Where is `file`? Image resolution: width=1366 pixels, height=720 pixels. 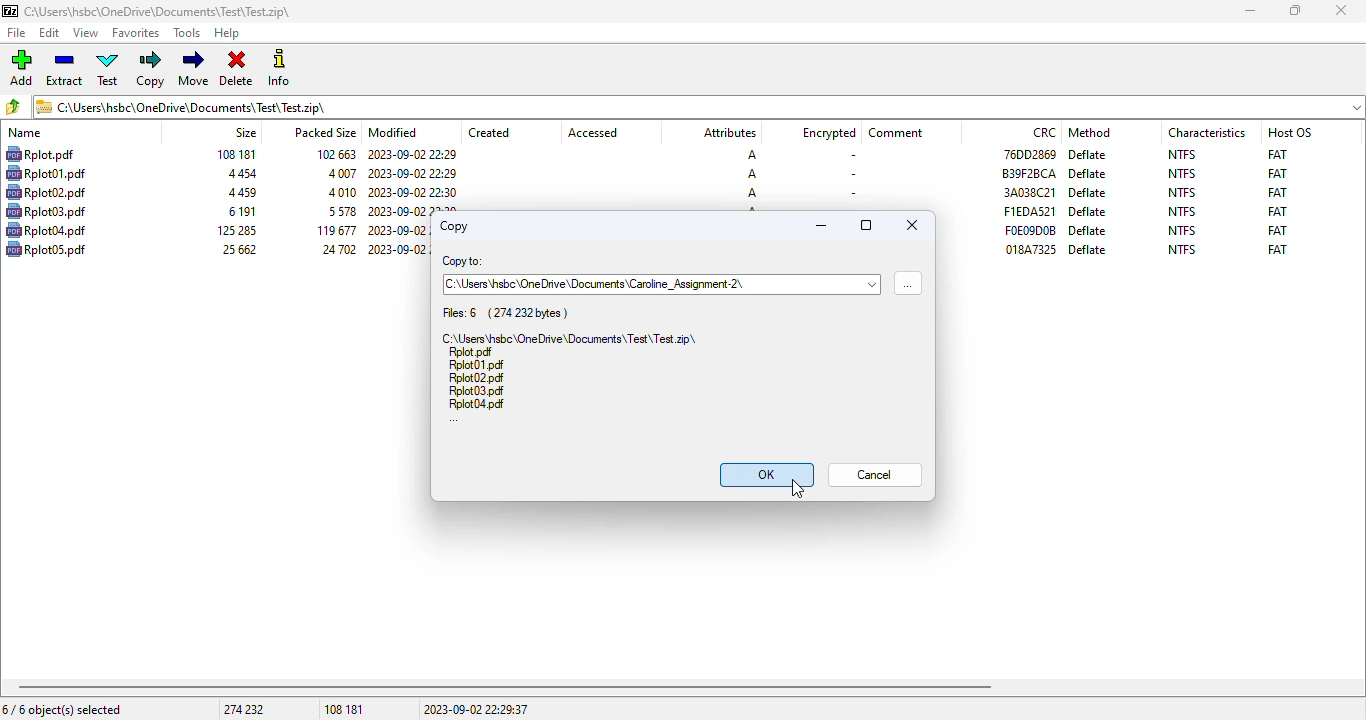 file is located at coordinates (18, 33).